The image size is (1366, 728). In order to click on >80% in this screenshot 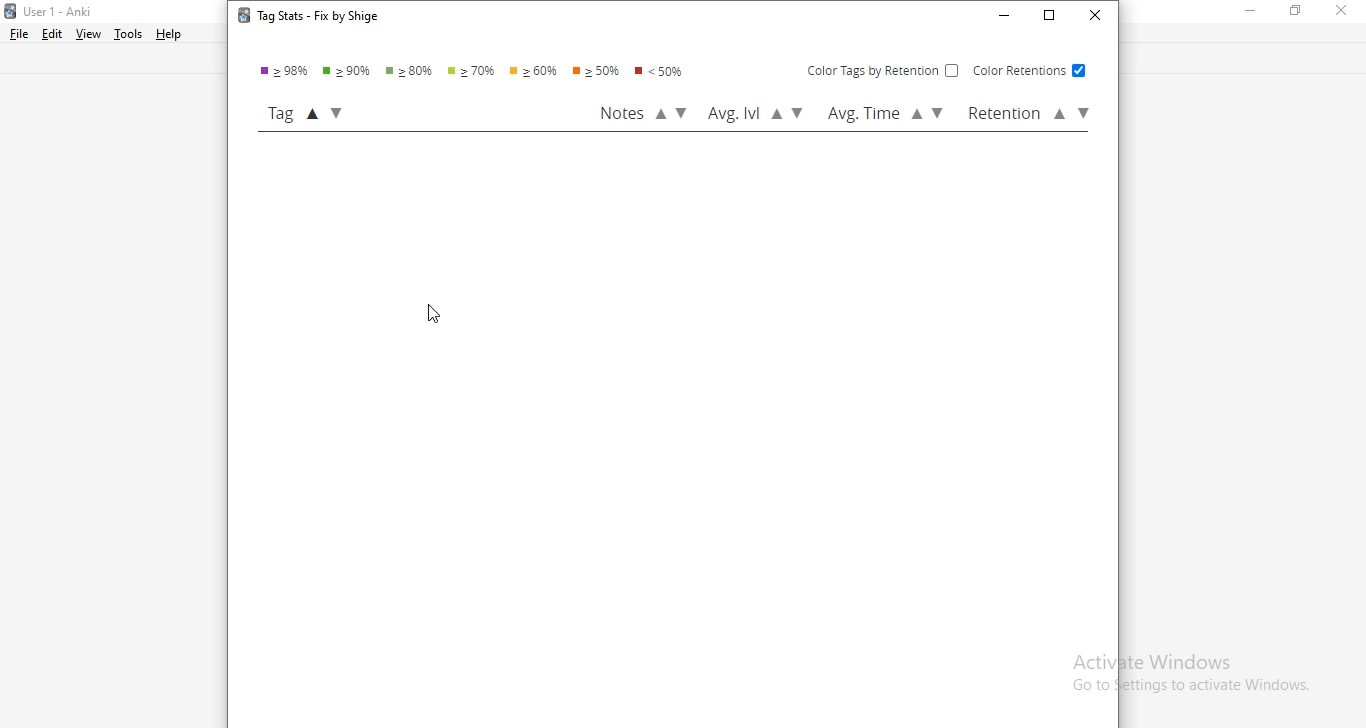, I will do `click(413, 71)`.